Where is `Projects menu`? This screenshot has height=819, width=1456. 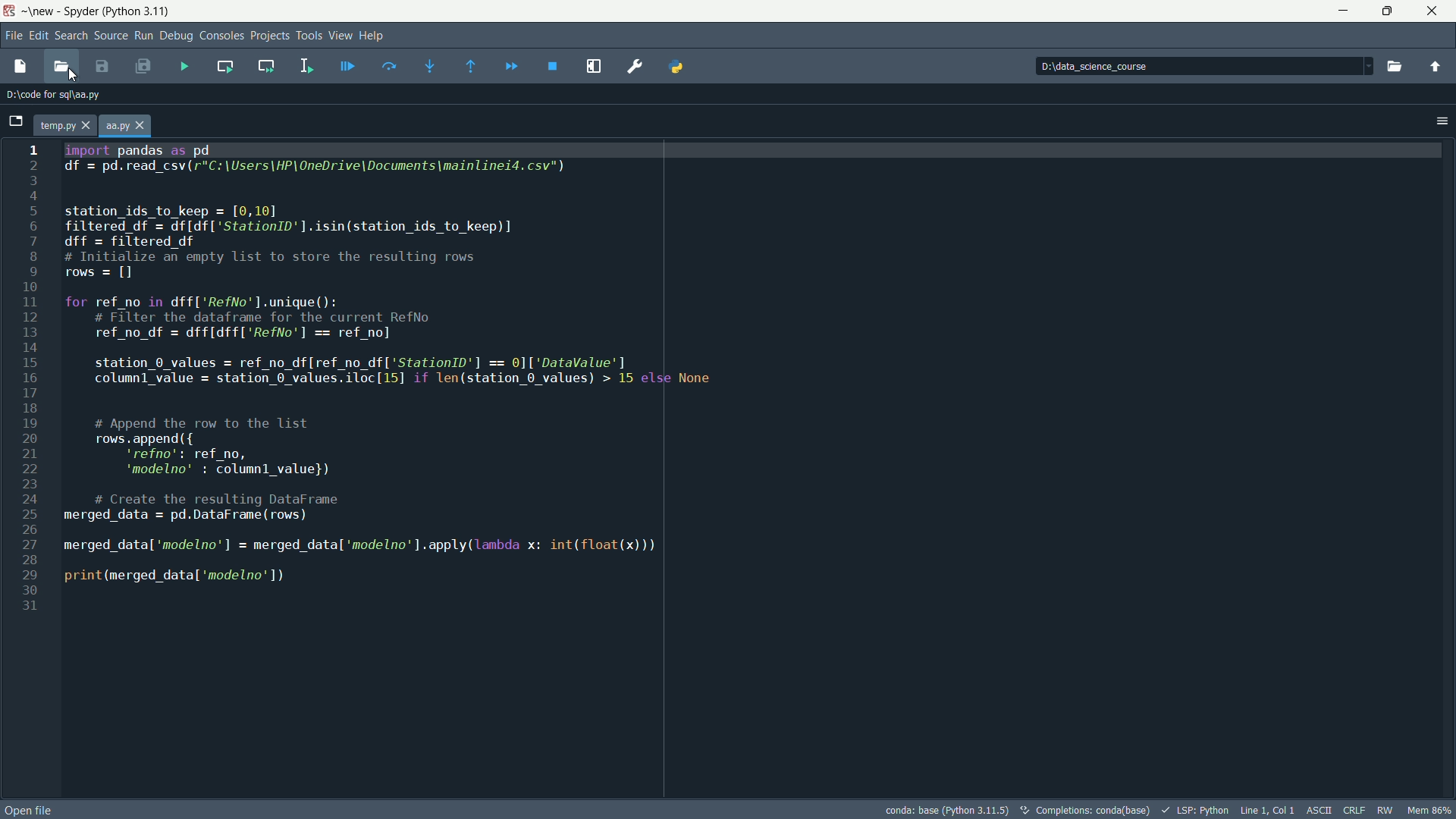 Projects menu is located at coordinates (270, 36).